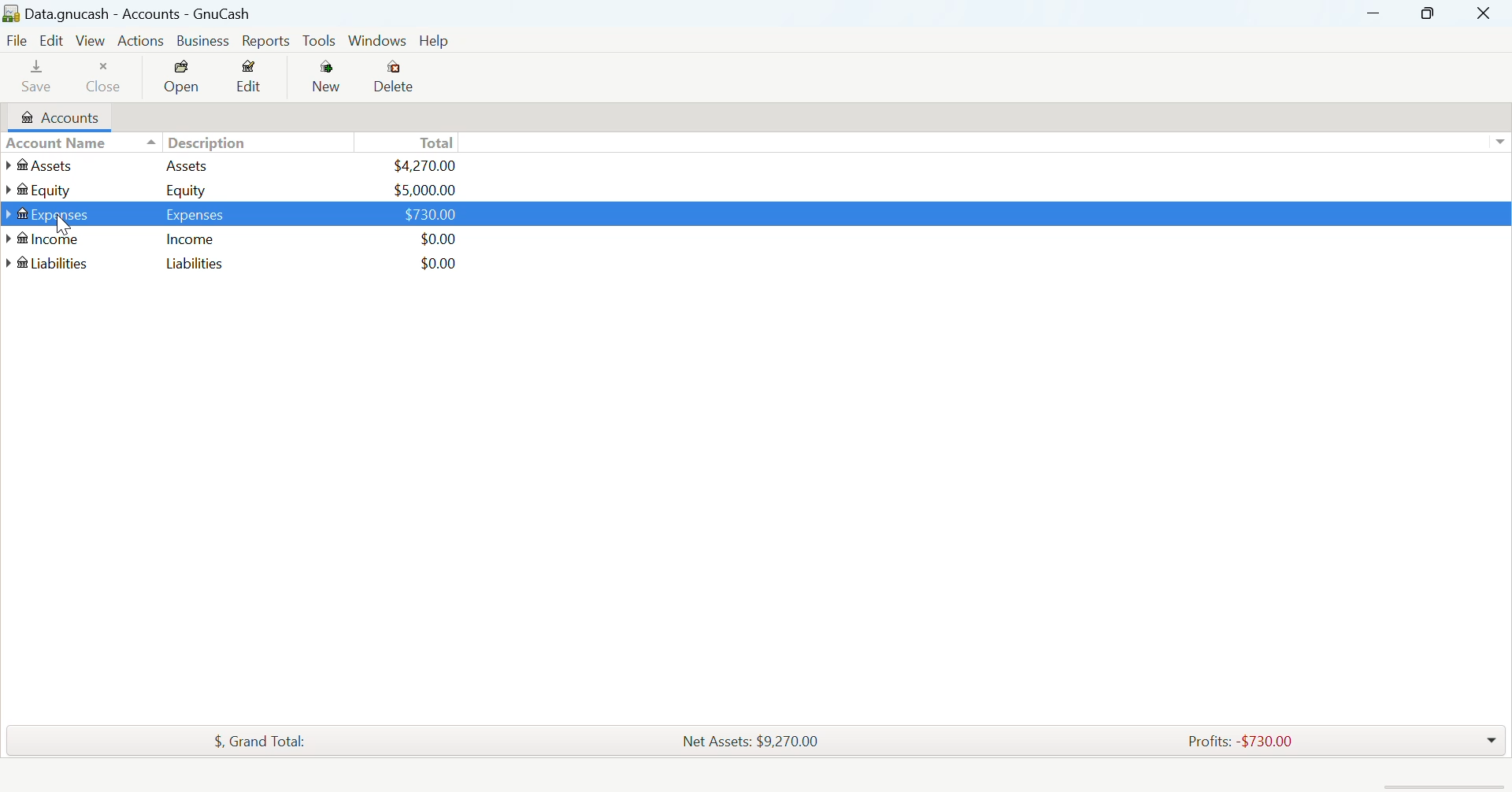  What do you see at coordinates (1427, 13) in the screenshot?
I see `Minimize` at bounding box center [1427, 13].